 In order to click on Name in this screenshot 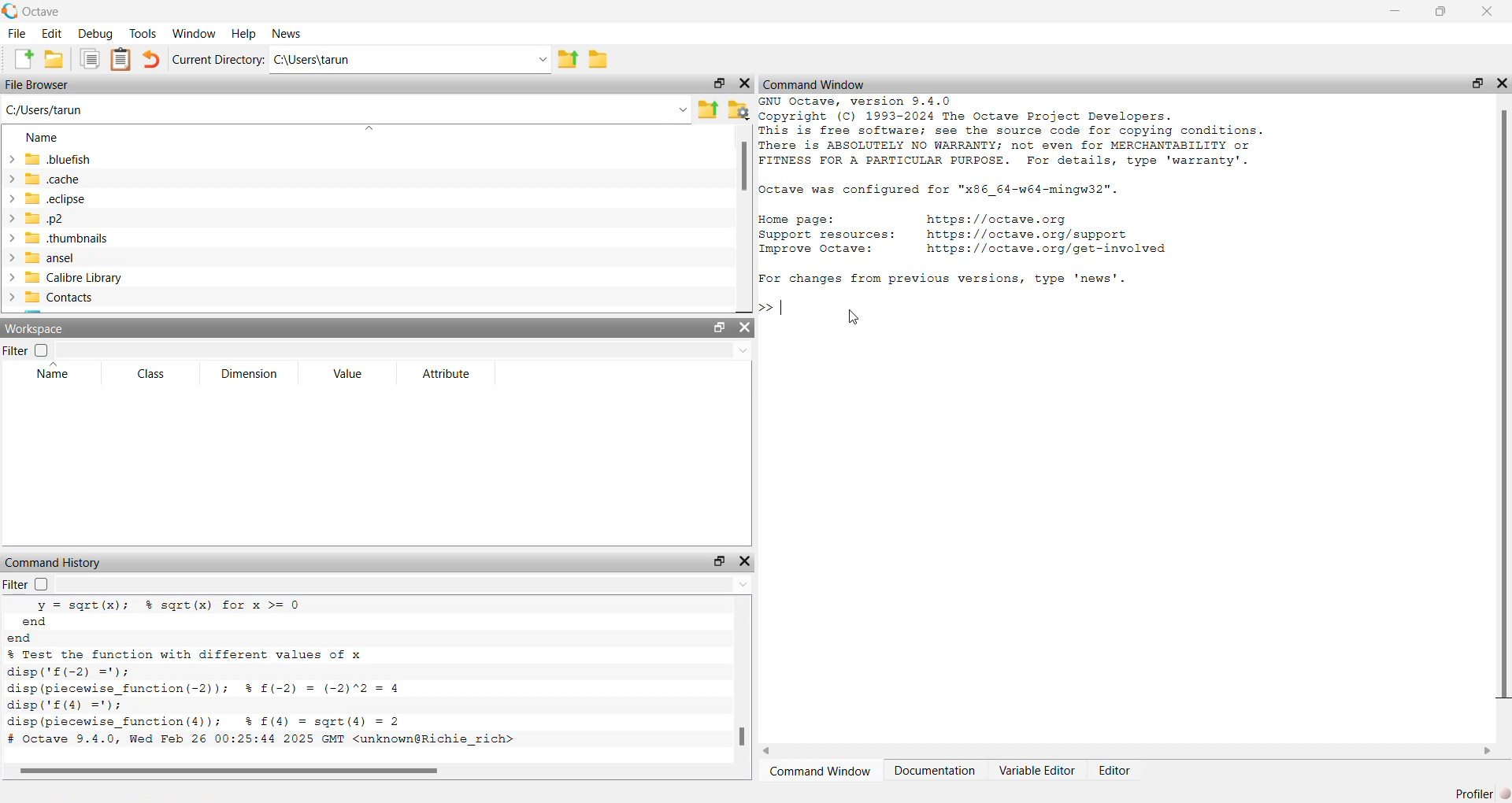, I will do `click(42, 139)`.